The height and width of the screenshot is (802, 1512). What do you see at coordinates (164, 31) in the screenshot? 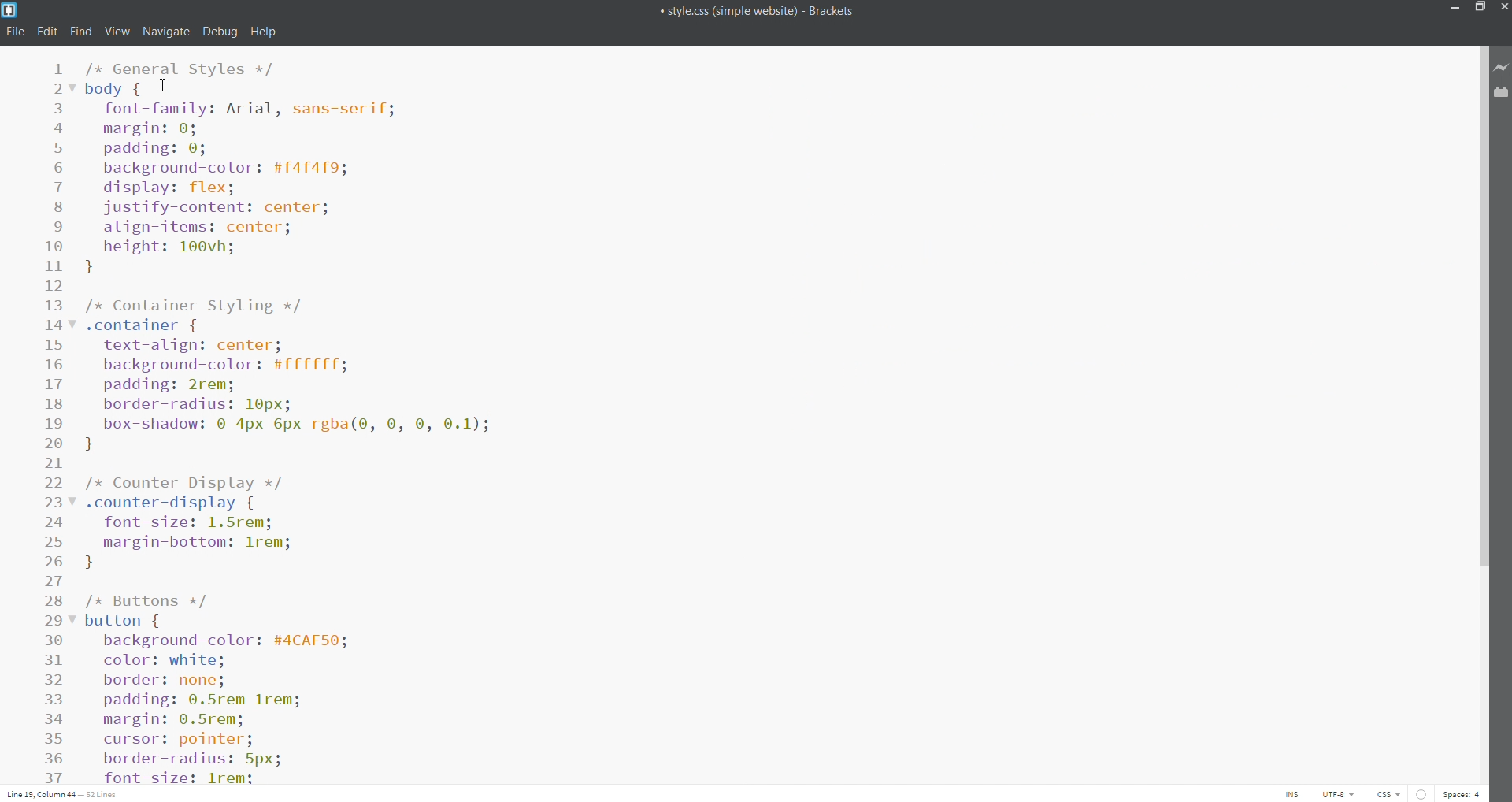
I see `navigate` at bounding box center [164, 31].